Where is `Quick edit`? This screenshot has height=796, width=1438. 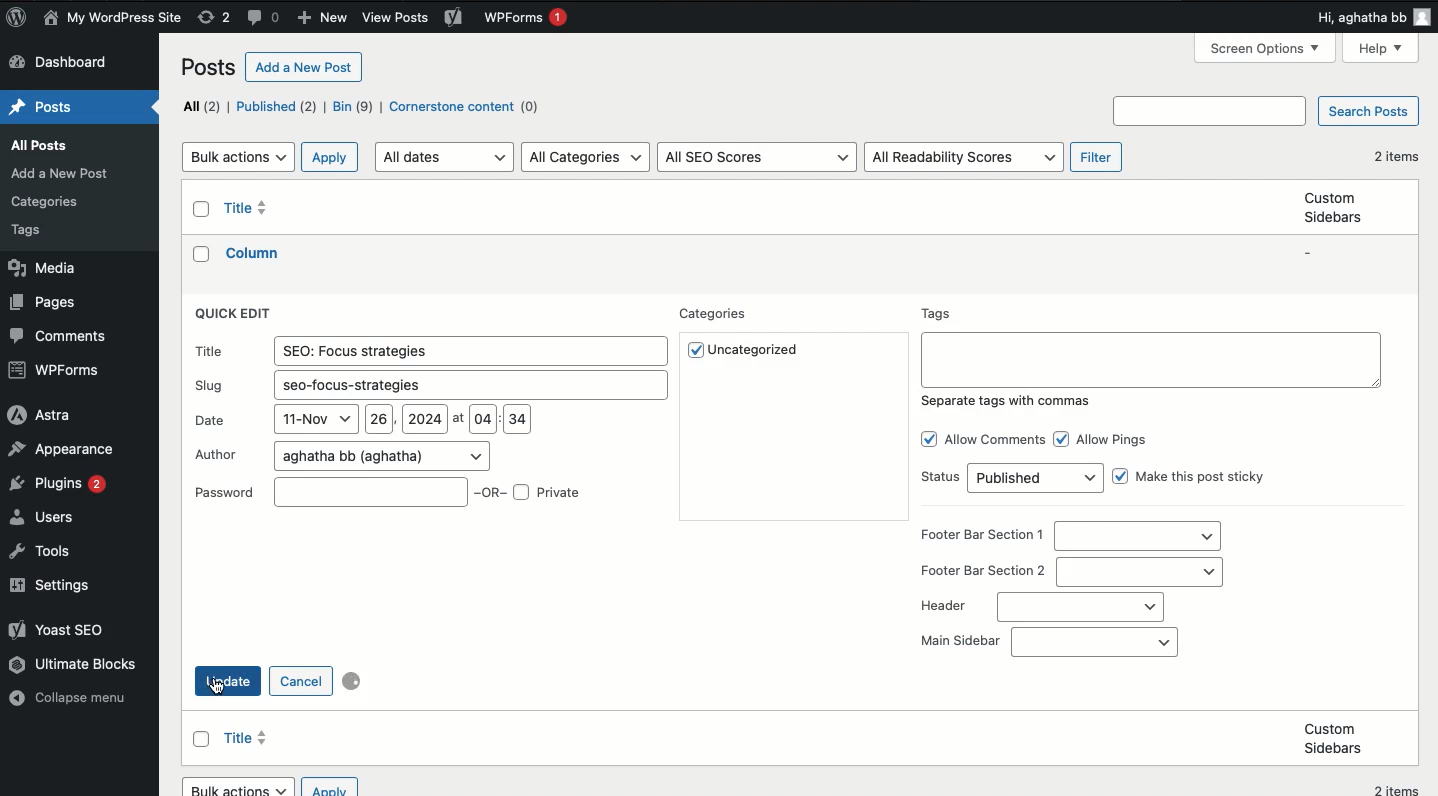
Quick edit is located at coordinates (237, 313).